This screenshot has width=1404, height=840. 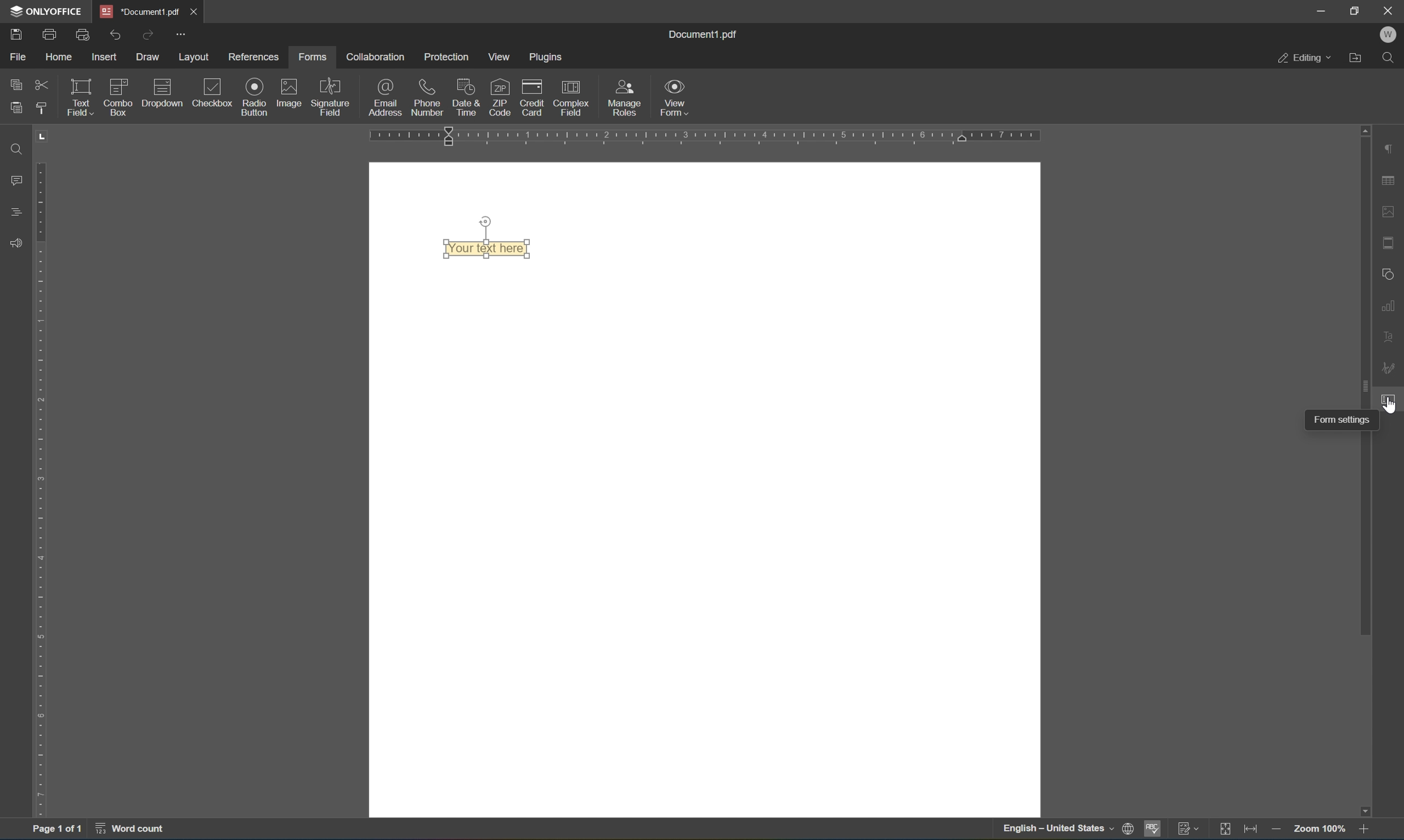 What do you see at coordinates (533, 96) in the screenshot?
I see `credit card` at bounding box center [533, 96].